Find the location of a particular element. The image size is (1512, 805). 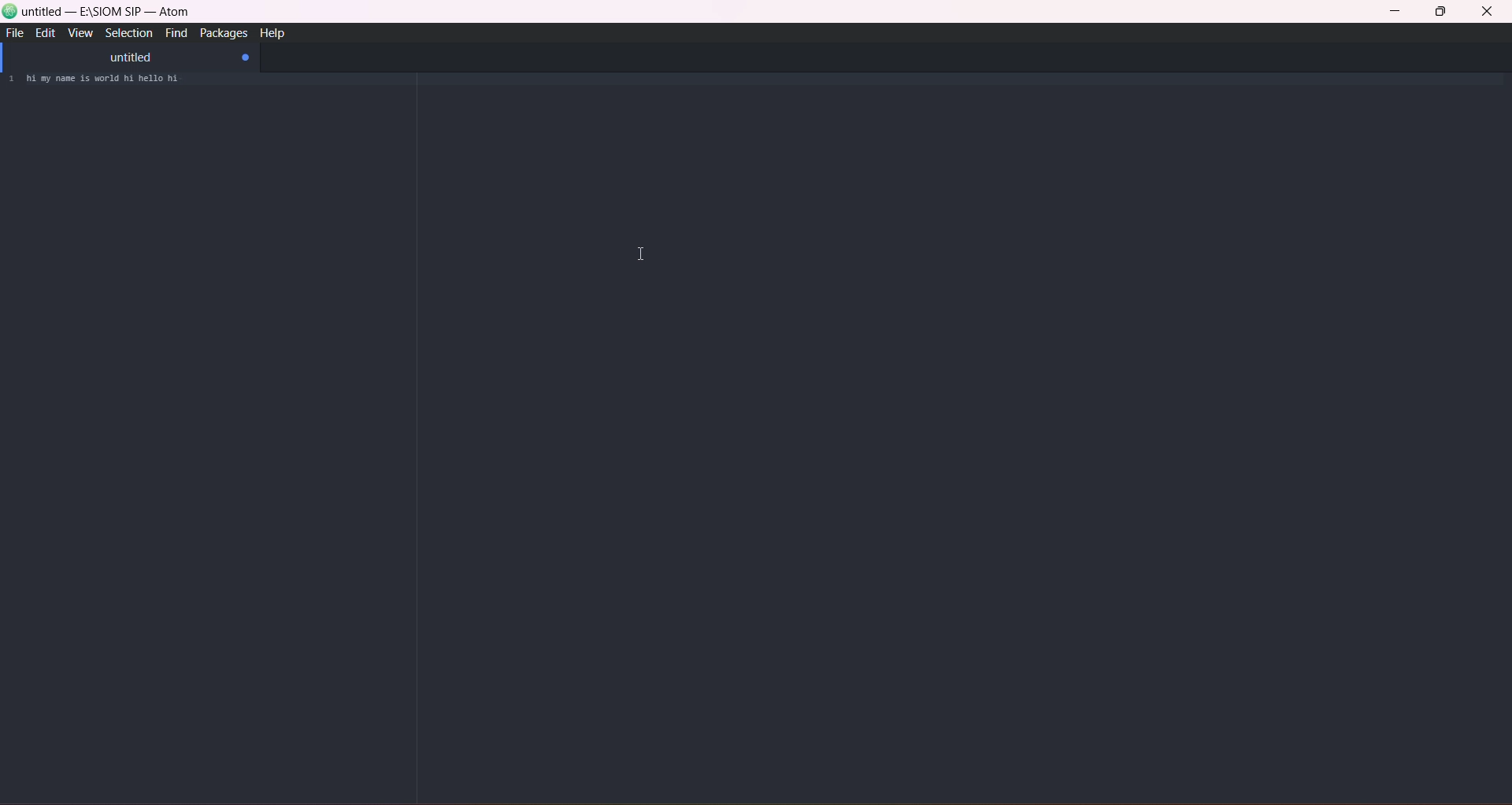

maximize is located at coordinates (1441, 13).